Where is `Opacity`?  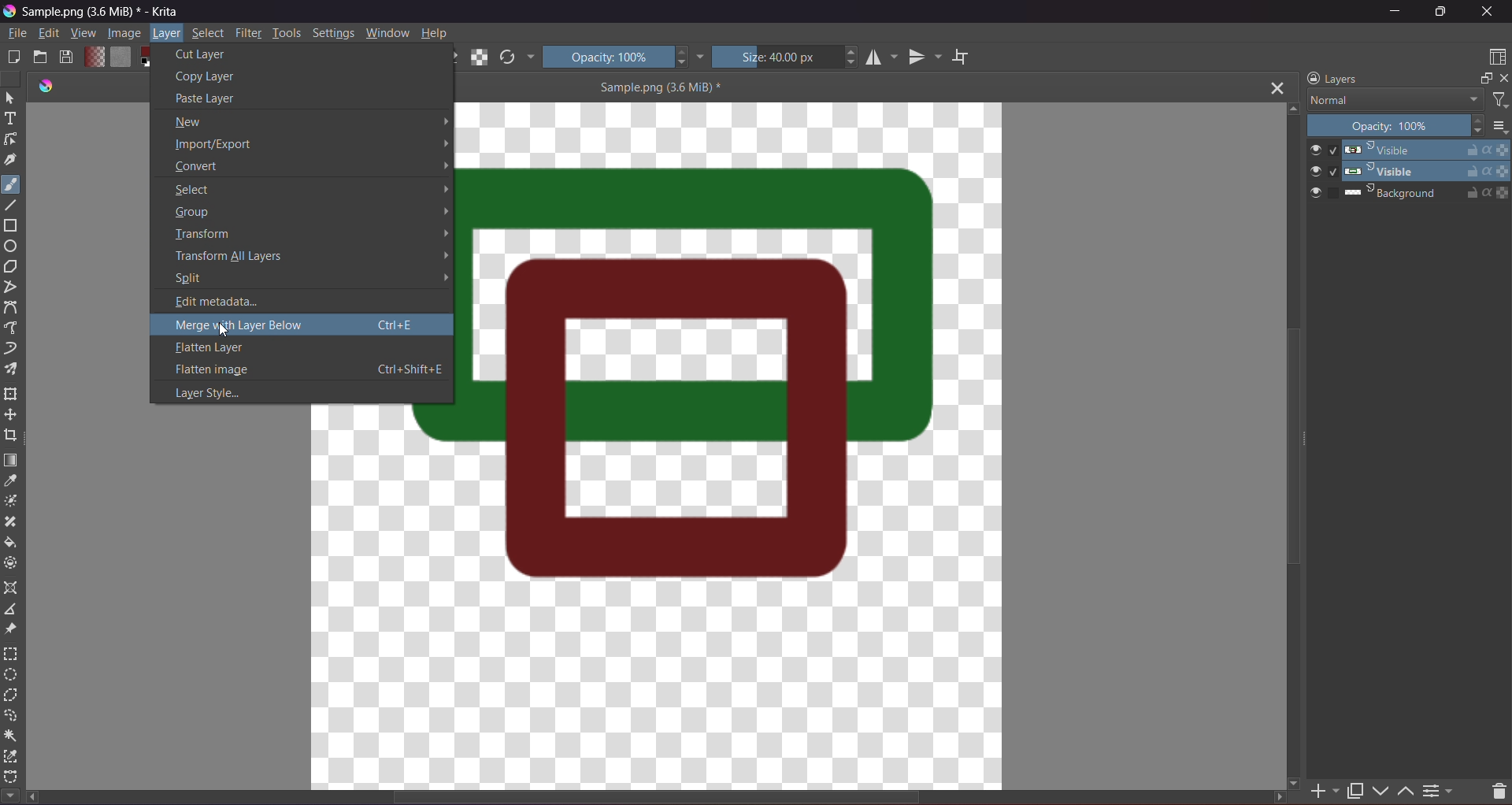
Opacity is located at coordinates (617, 56).